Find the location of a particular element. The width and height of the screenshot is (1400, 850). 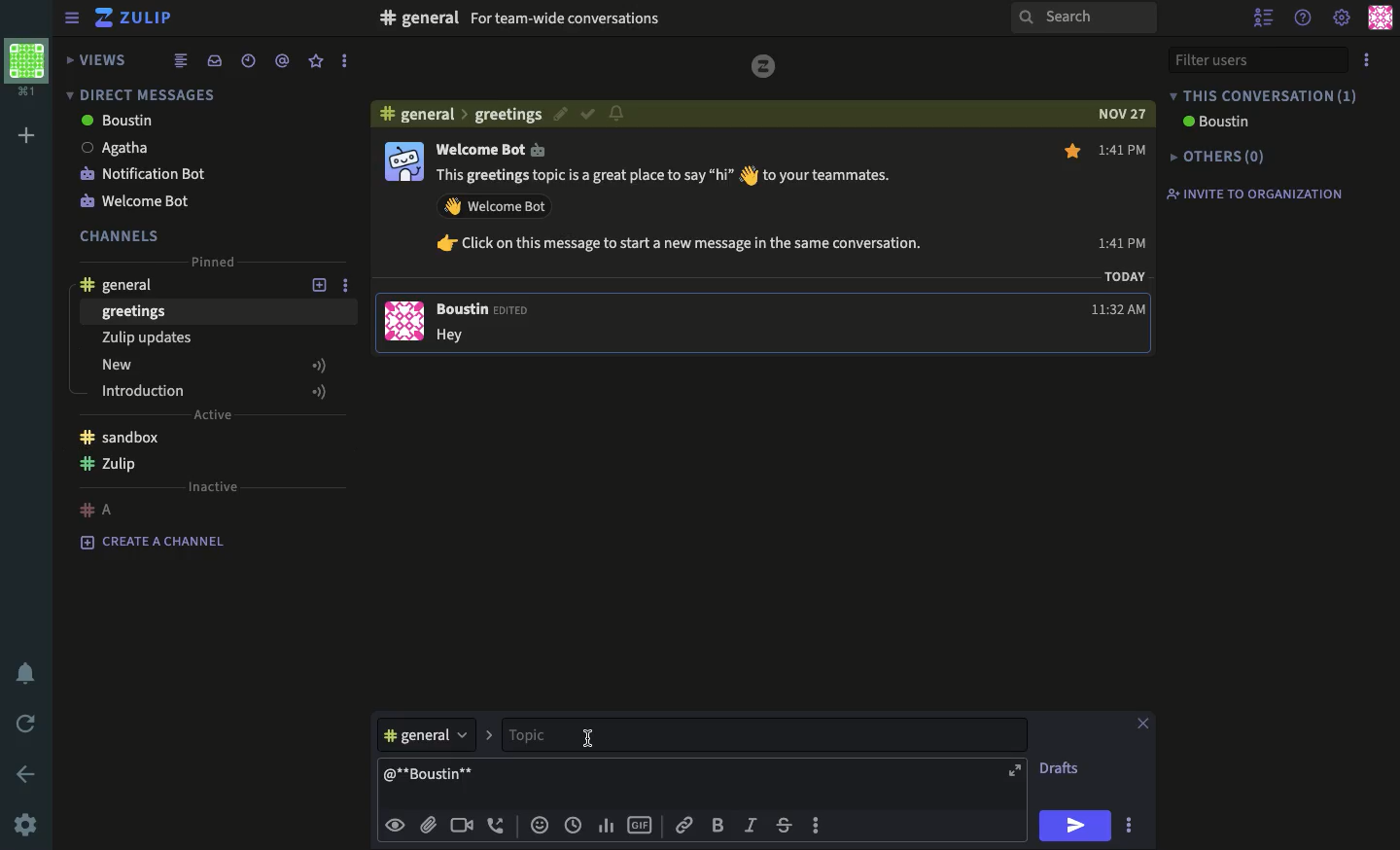

This greetings topic is a great place to say “hi” § to your teammates.
AY Welcome Bot
fr Click on this message to start a new message in the same conversation. is located at coordinates (684, 212).